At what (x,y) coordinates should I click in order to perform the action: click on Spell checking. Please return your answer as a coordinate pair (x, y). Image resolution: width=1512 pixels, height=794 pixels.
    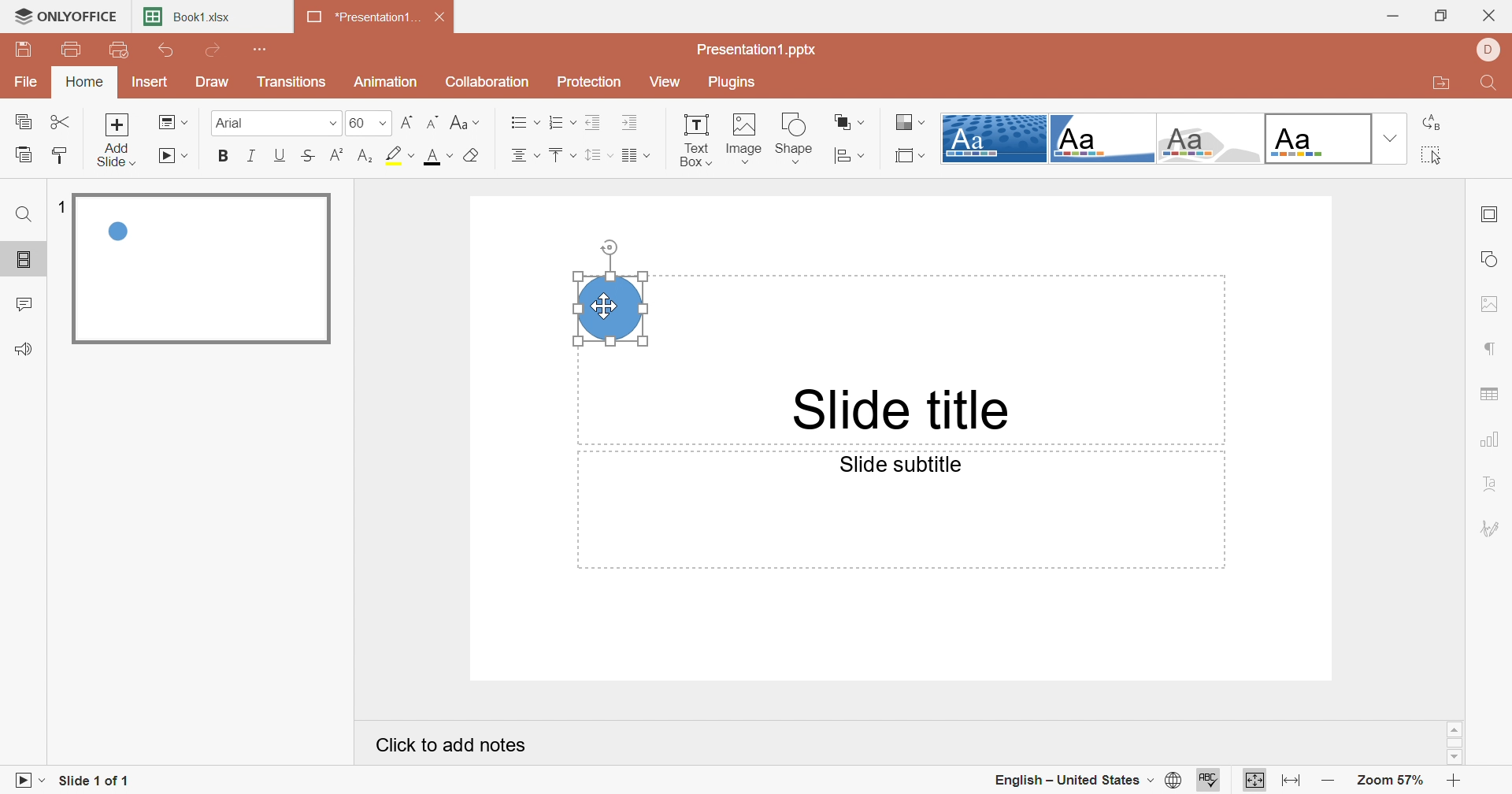
    Looking at the image, I should click on (1210, 781).